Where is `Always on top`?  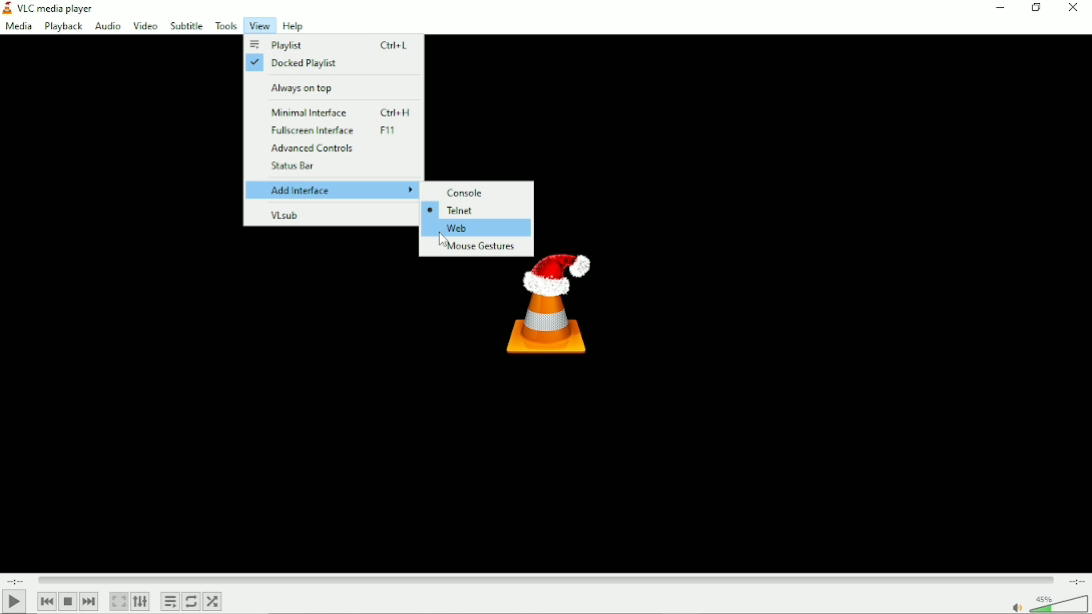
Always on top is located at coordinates (304, 88).